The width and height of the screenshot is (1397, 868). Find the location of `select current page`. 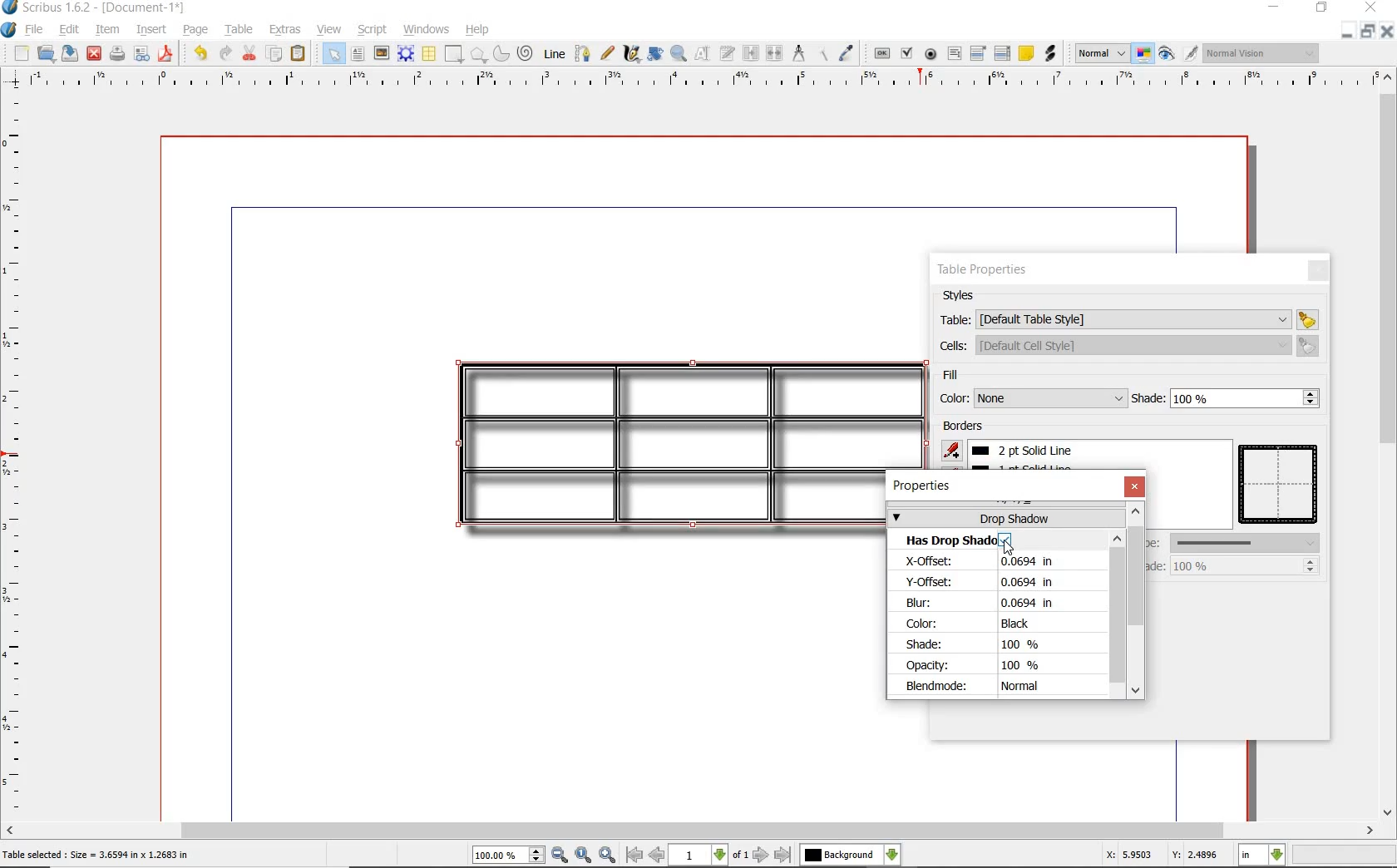

select current page is located at coordinates (709, 855).